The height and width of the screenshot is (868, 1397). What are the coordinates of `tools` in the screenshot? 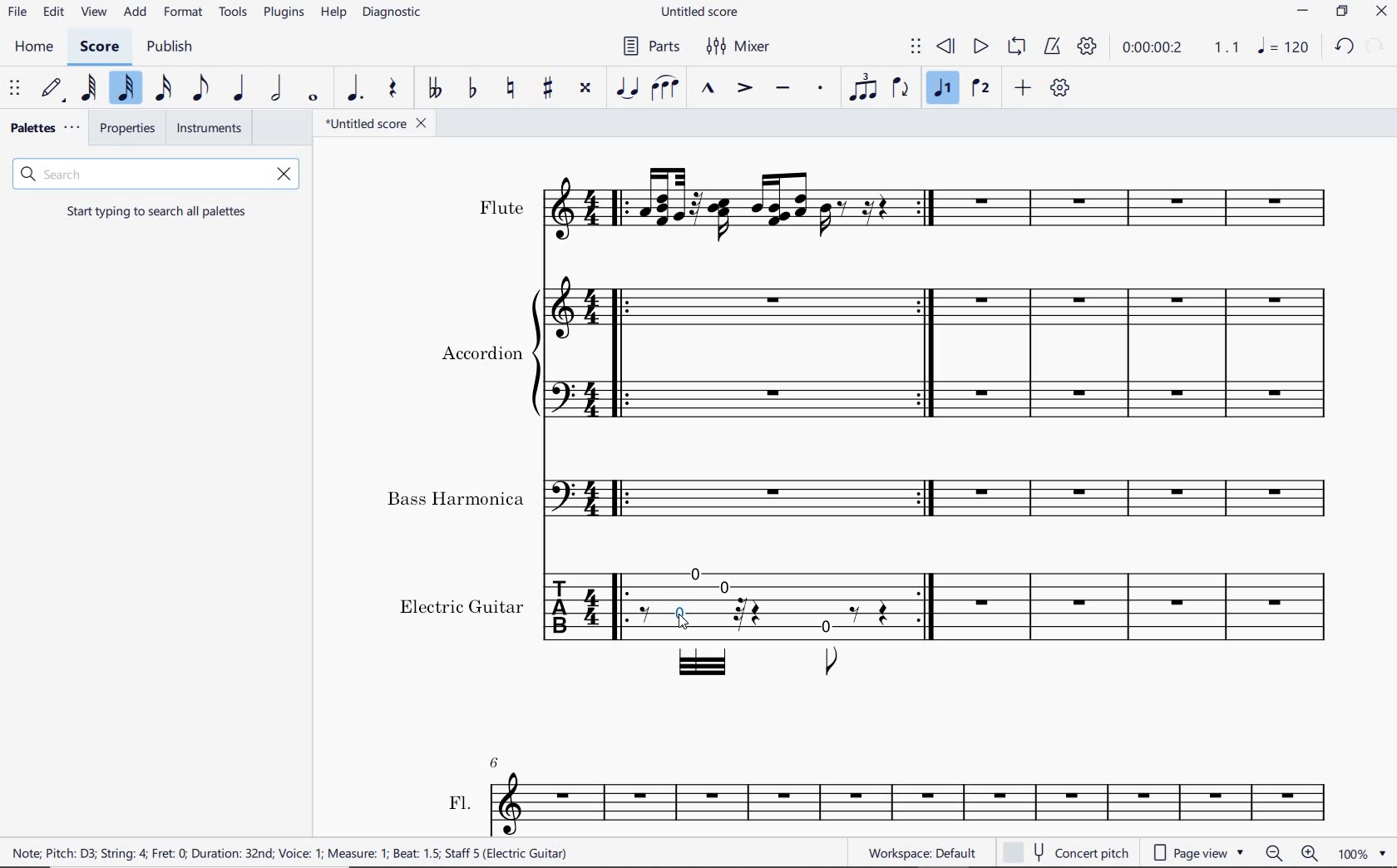 It's located at (233, 17).